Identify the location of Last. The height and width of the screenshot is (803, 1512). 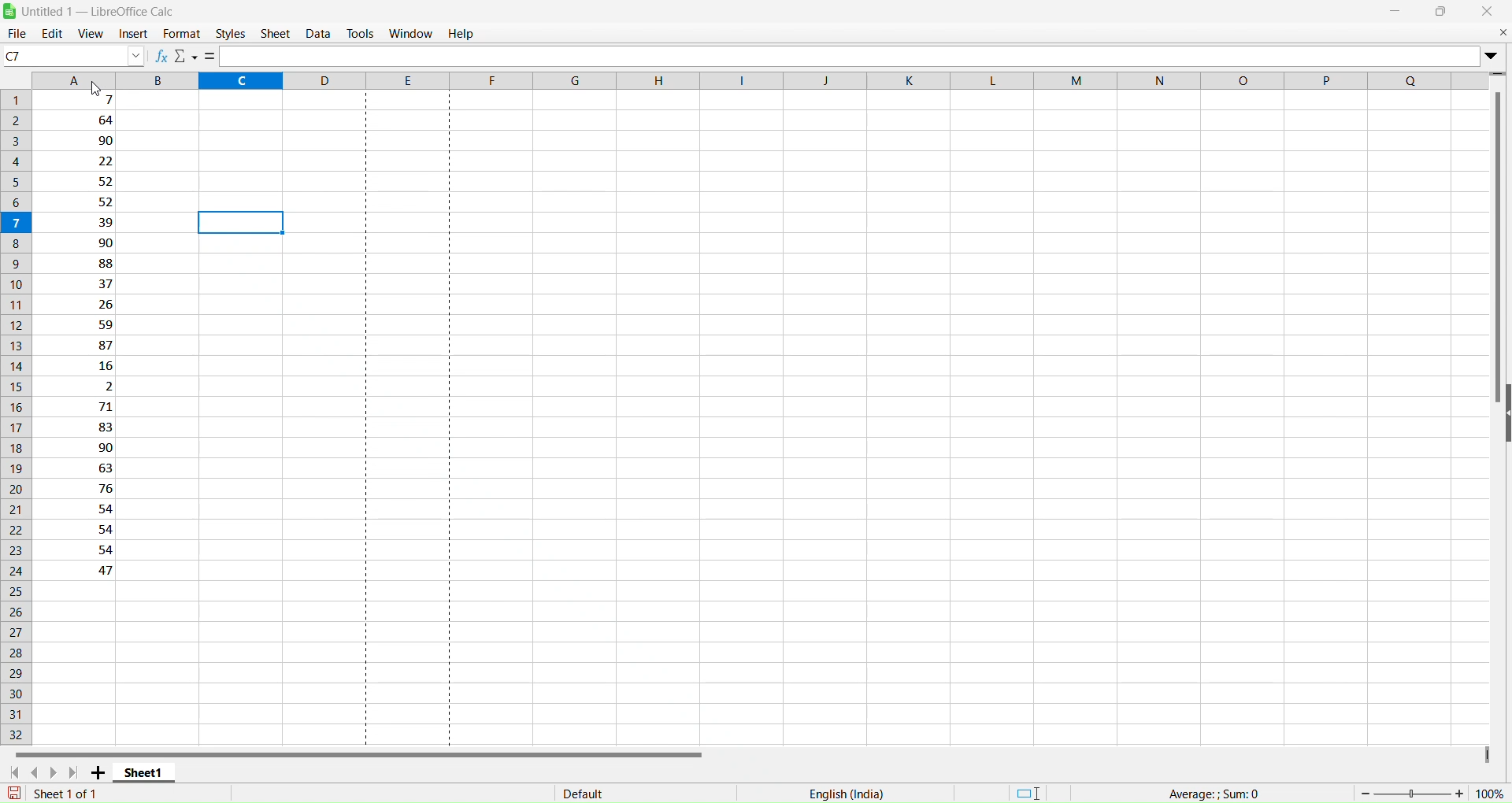
(76, 772).